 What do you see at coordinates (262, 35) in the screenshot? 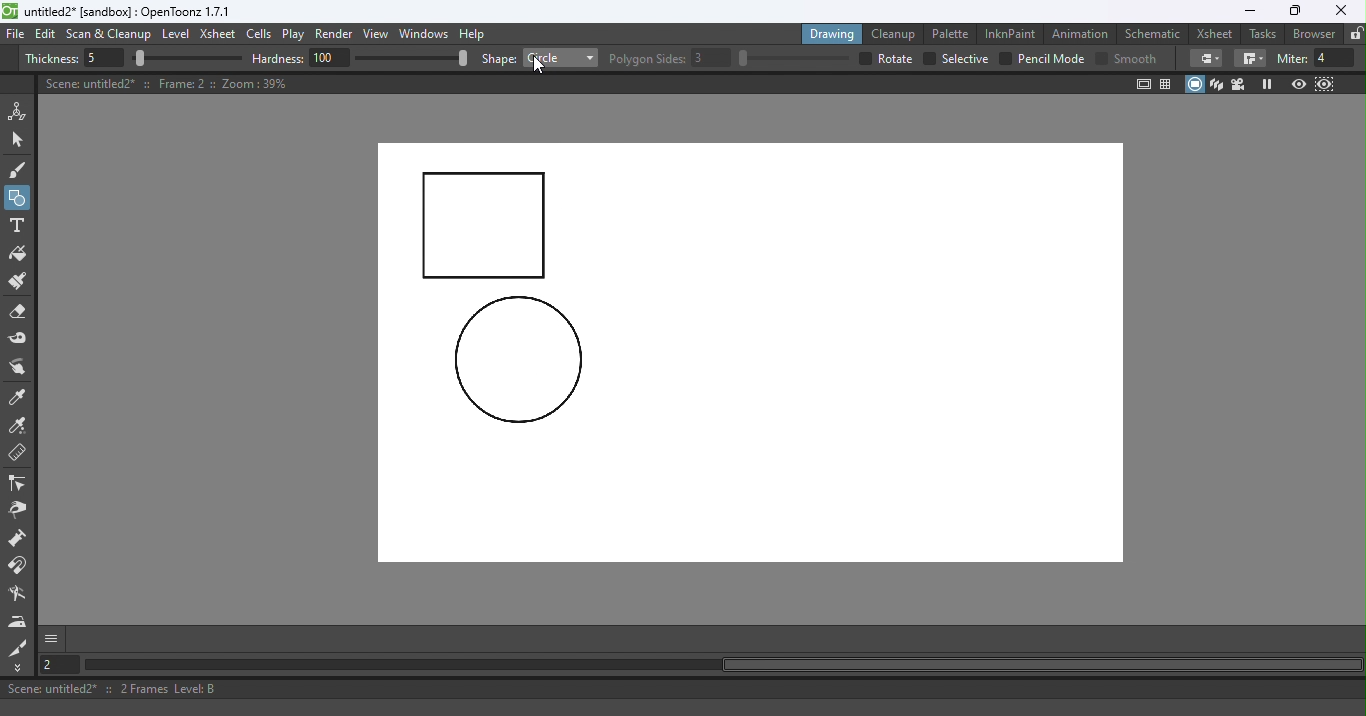
I see `Cells` at bounding box center [262, 35].